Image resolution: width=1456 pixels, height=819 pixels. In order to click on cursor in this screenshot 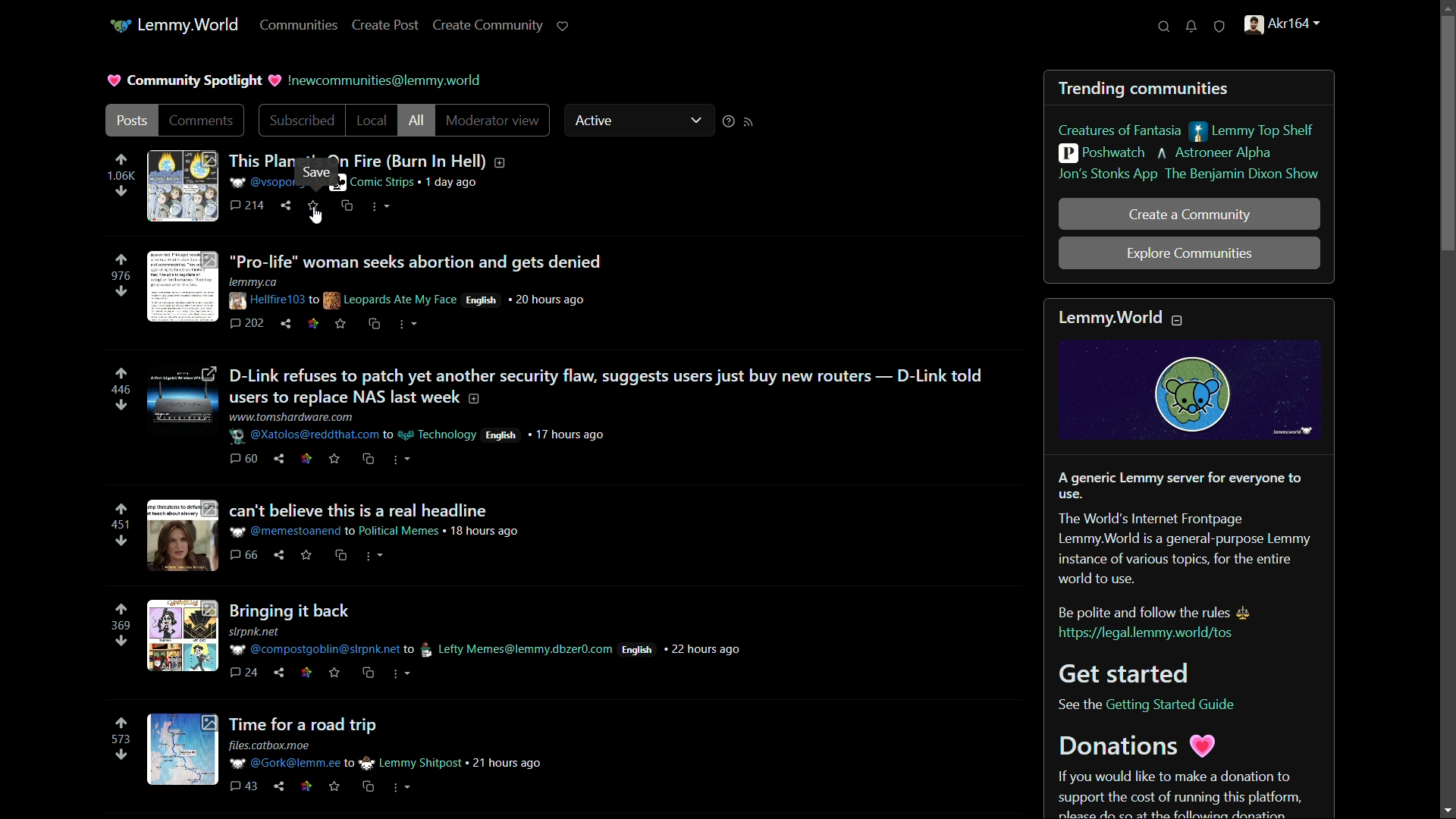, I will do `click(317, 218)`.